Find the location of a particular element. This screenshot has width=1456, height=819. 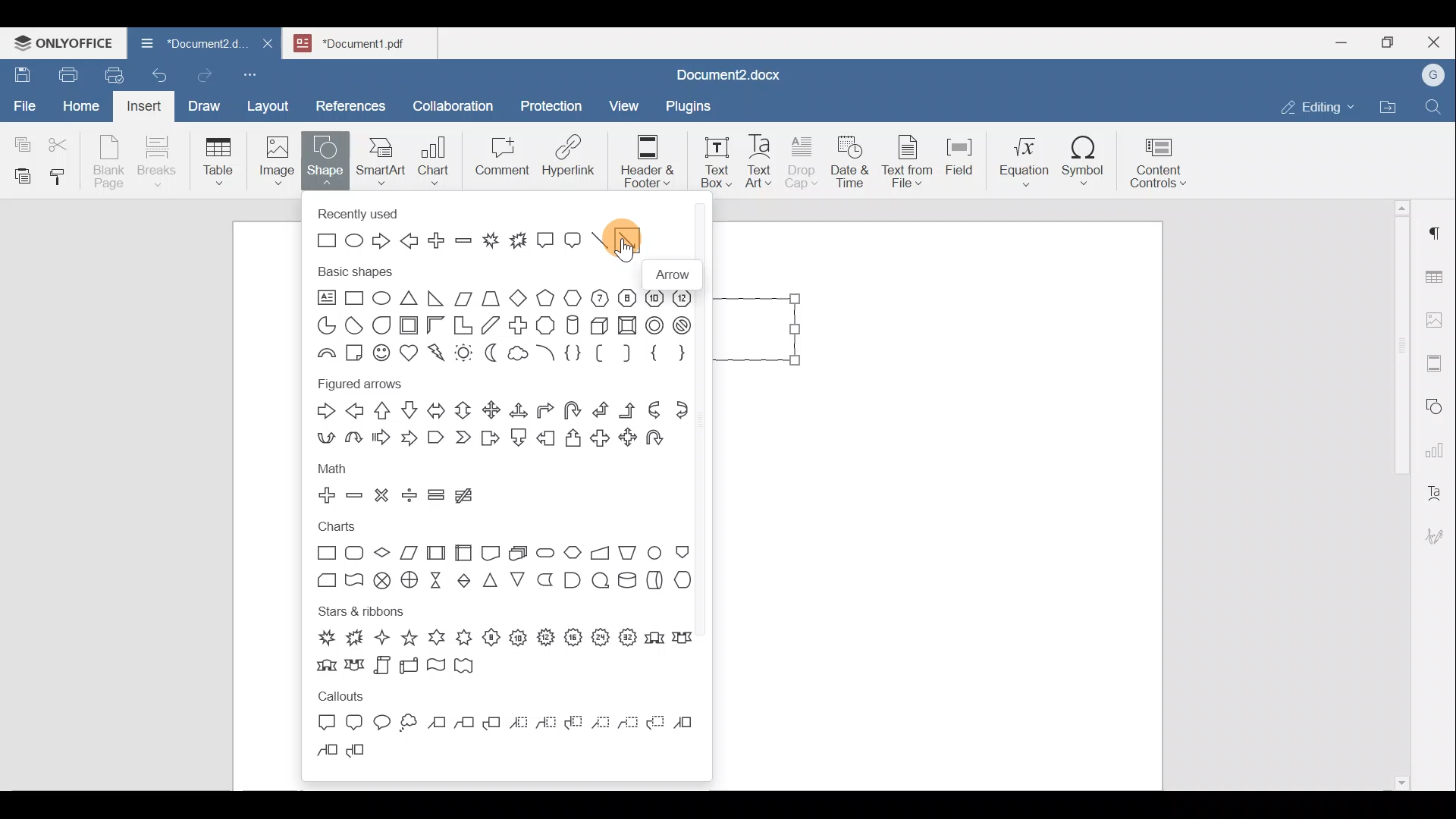

Chart settings is located at coordinates (1438, 444).